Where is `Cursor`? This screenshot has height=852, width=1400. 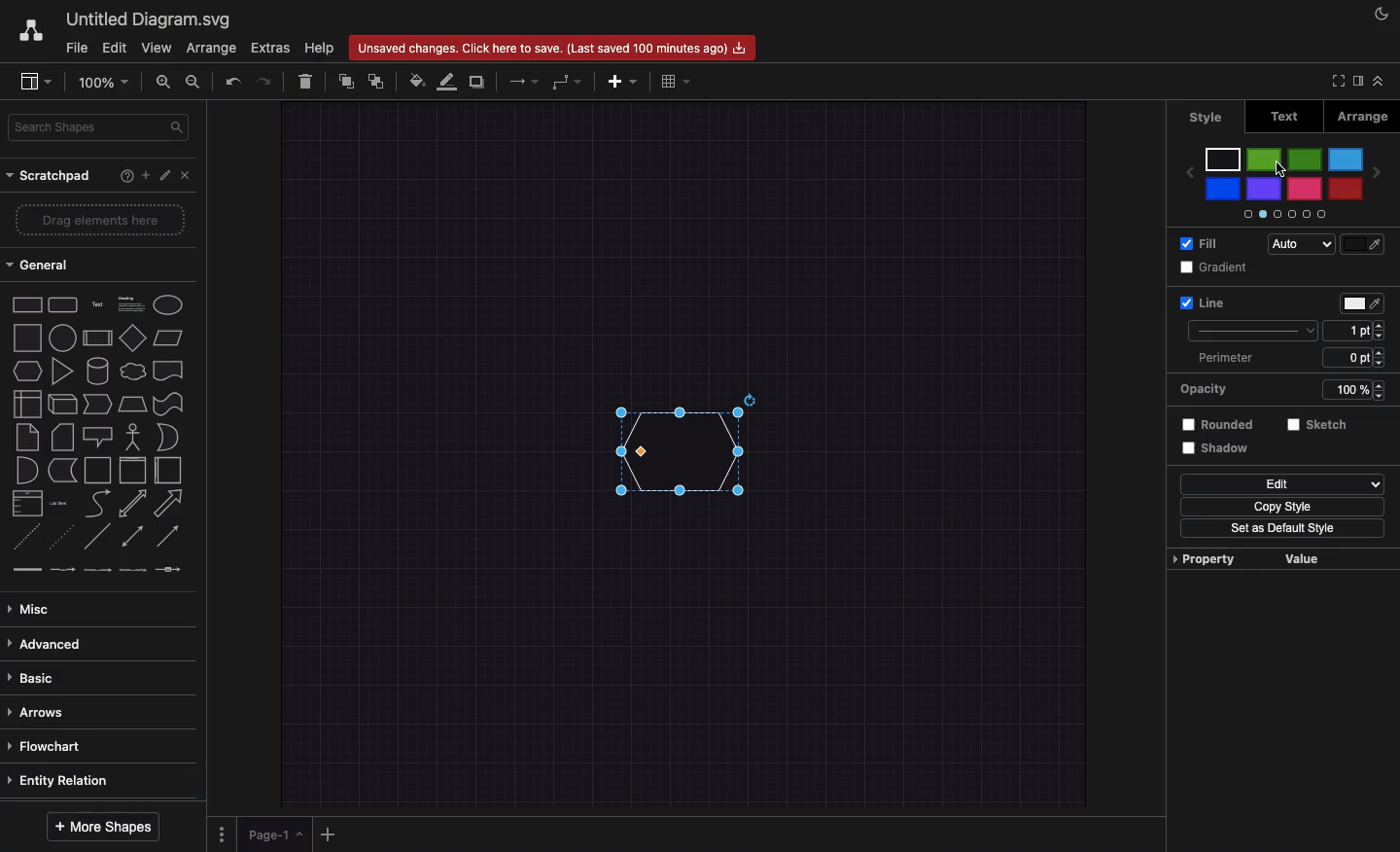
Cursor is located at coordinates (1277, 170).